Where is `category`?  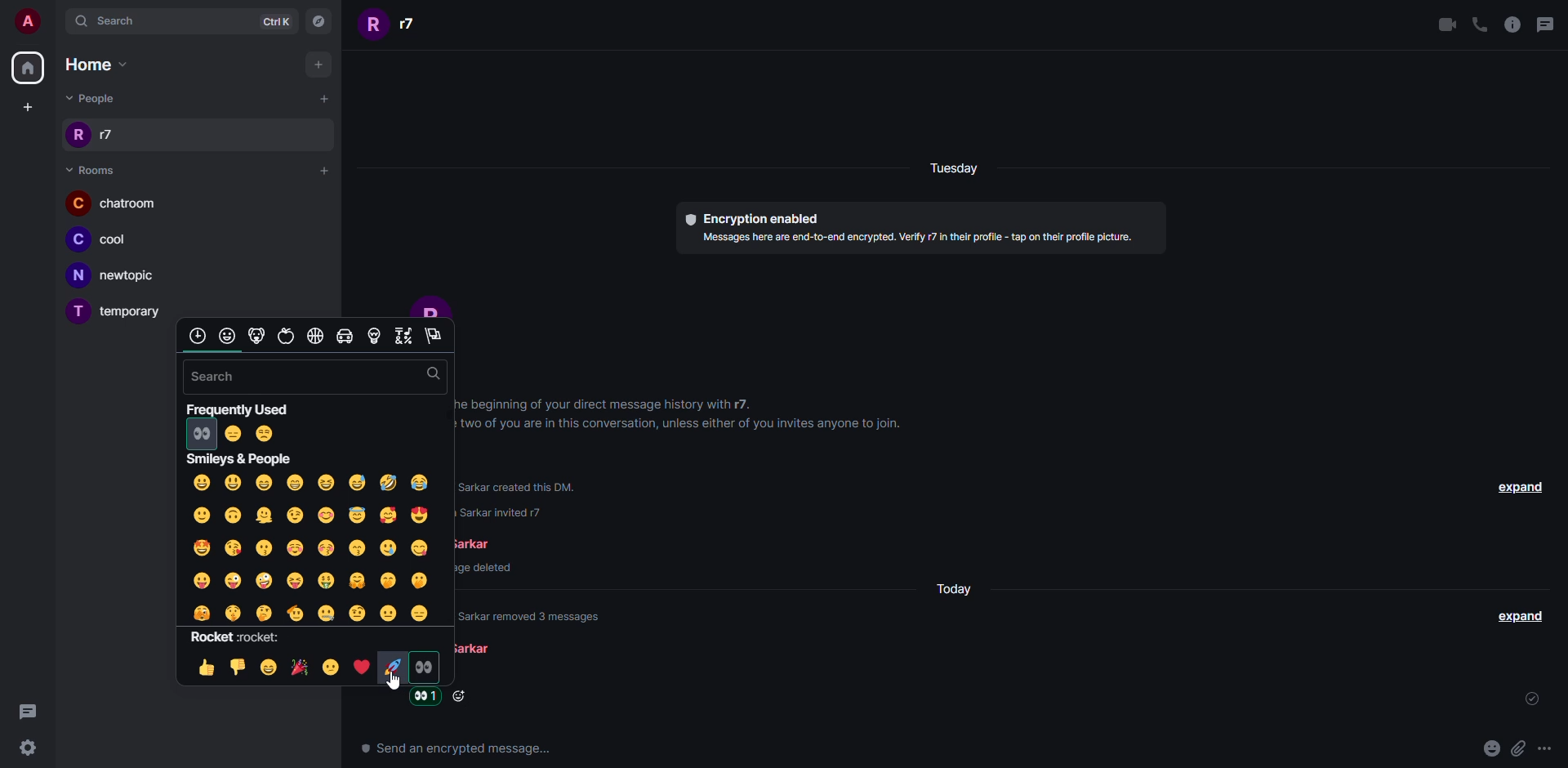 category is located at coordinates (375, 337).